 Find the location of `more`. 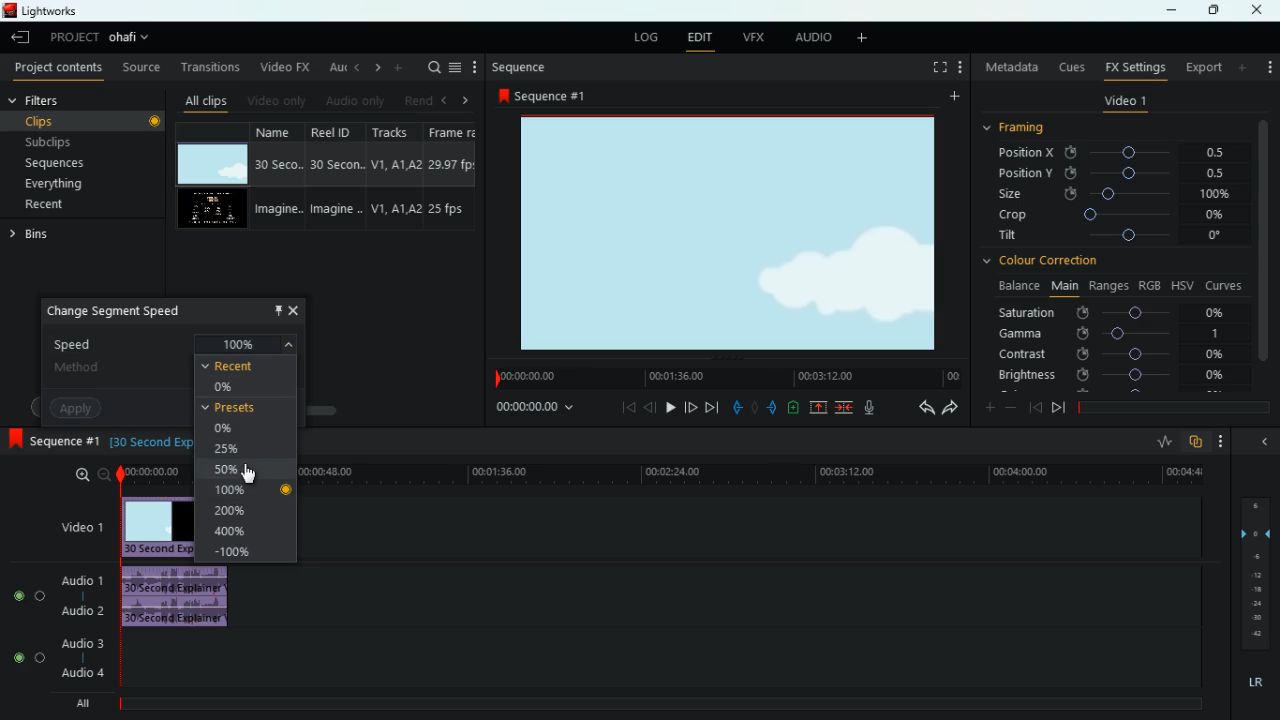

more is located at coordinates (1244, 67).